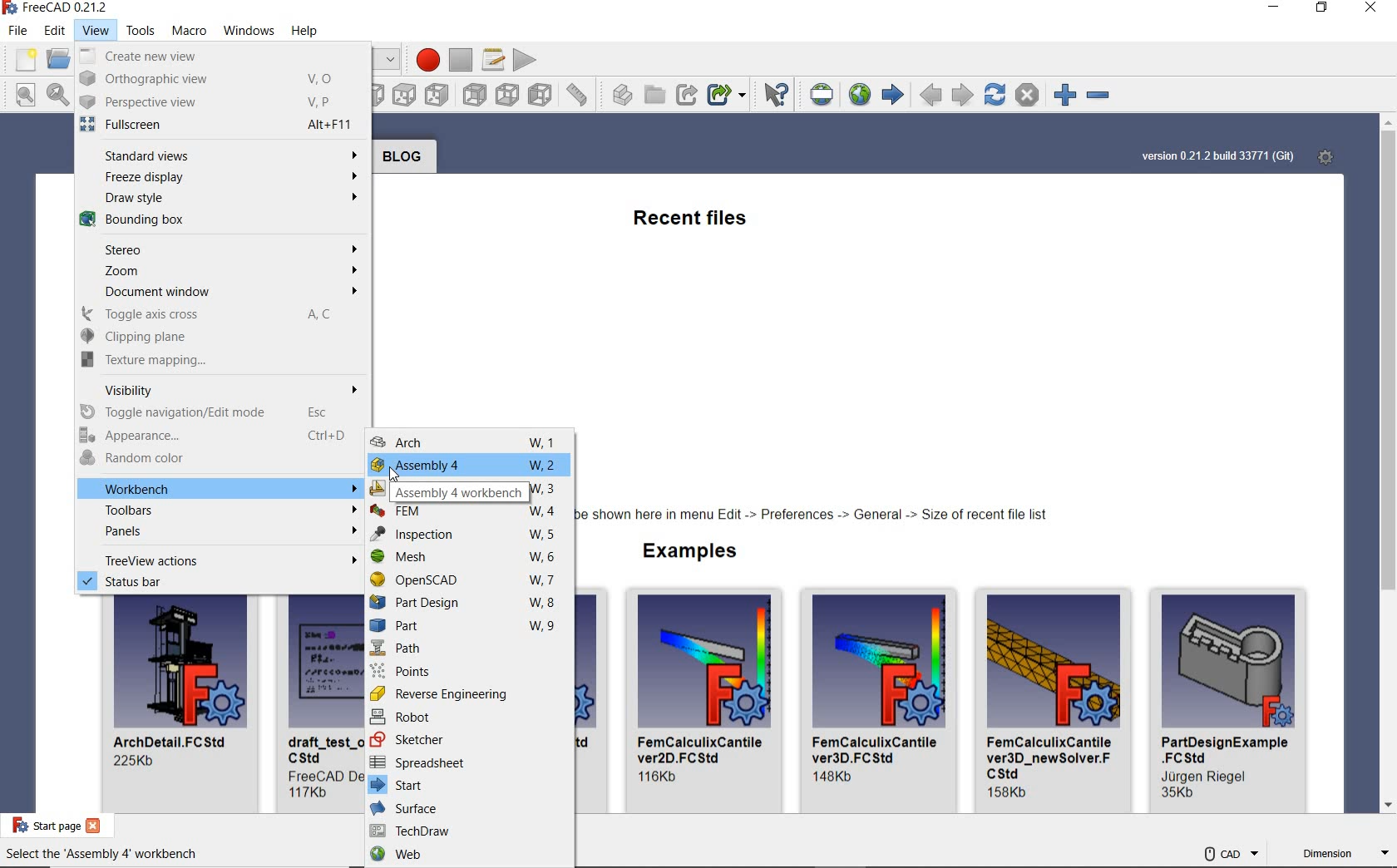 This screenshot has height=868, width=1397. What do you see at coordinates (221, 316) in the screenshot?
I see `toggle axis cross` at bounding box center [221, 316].